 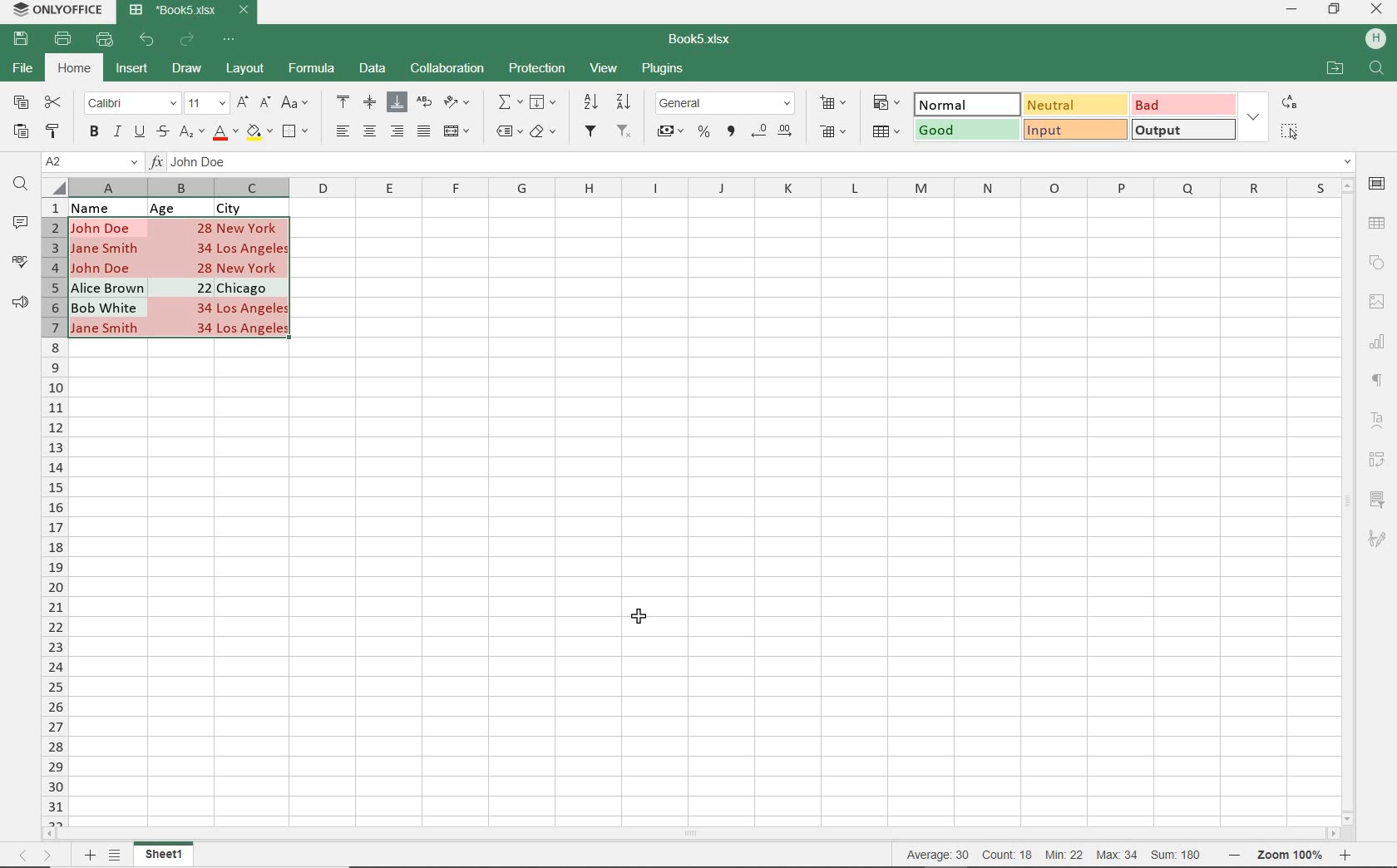 I want to click on STRIKETHROUGH, so click(x=161, y=131).